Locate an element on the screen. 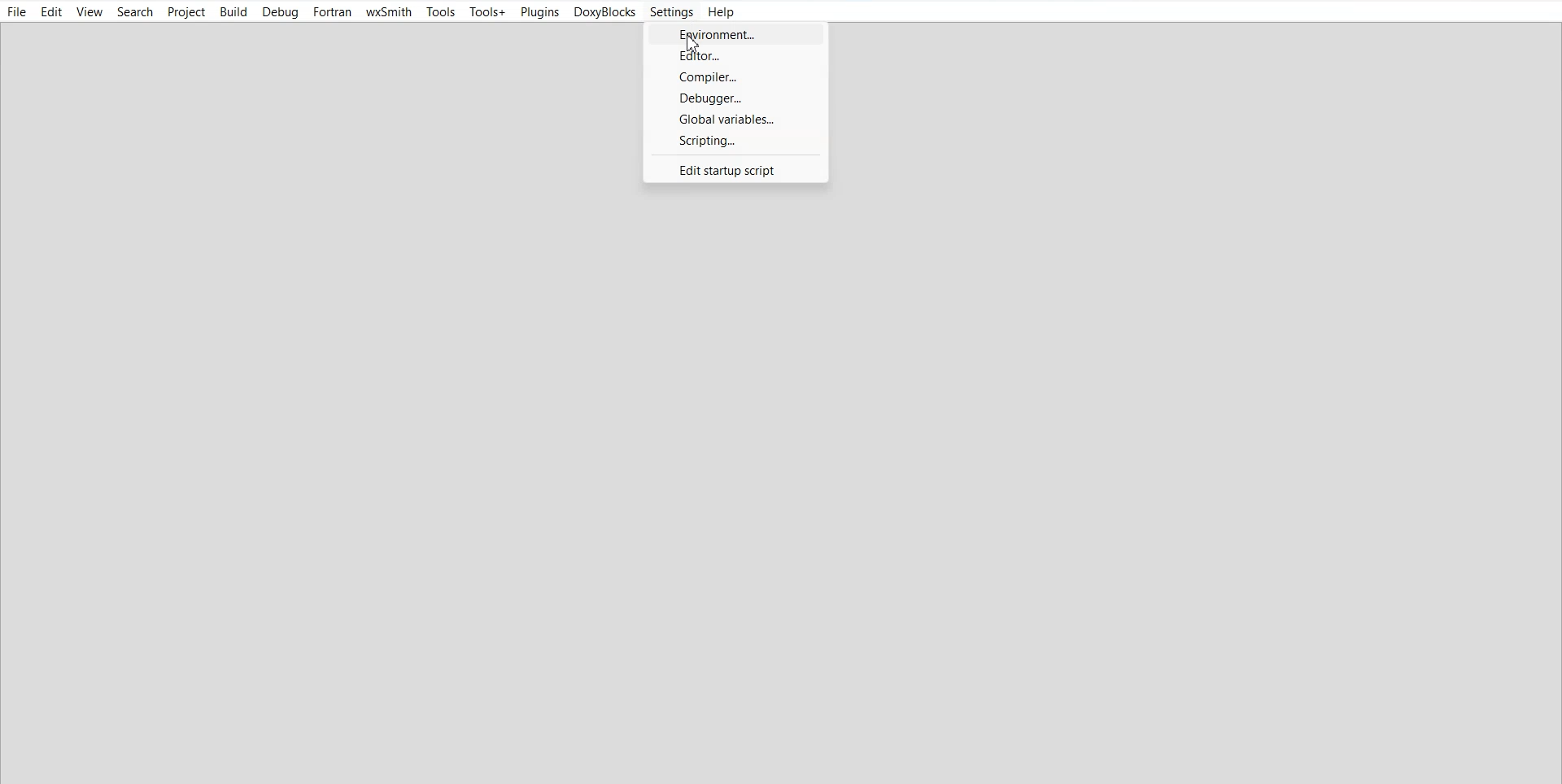 Image resolution: width=1562 pixels, height=784 pixels. Editor is located at coordinates (737, 54).